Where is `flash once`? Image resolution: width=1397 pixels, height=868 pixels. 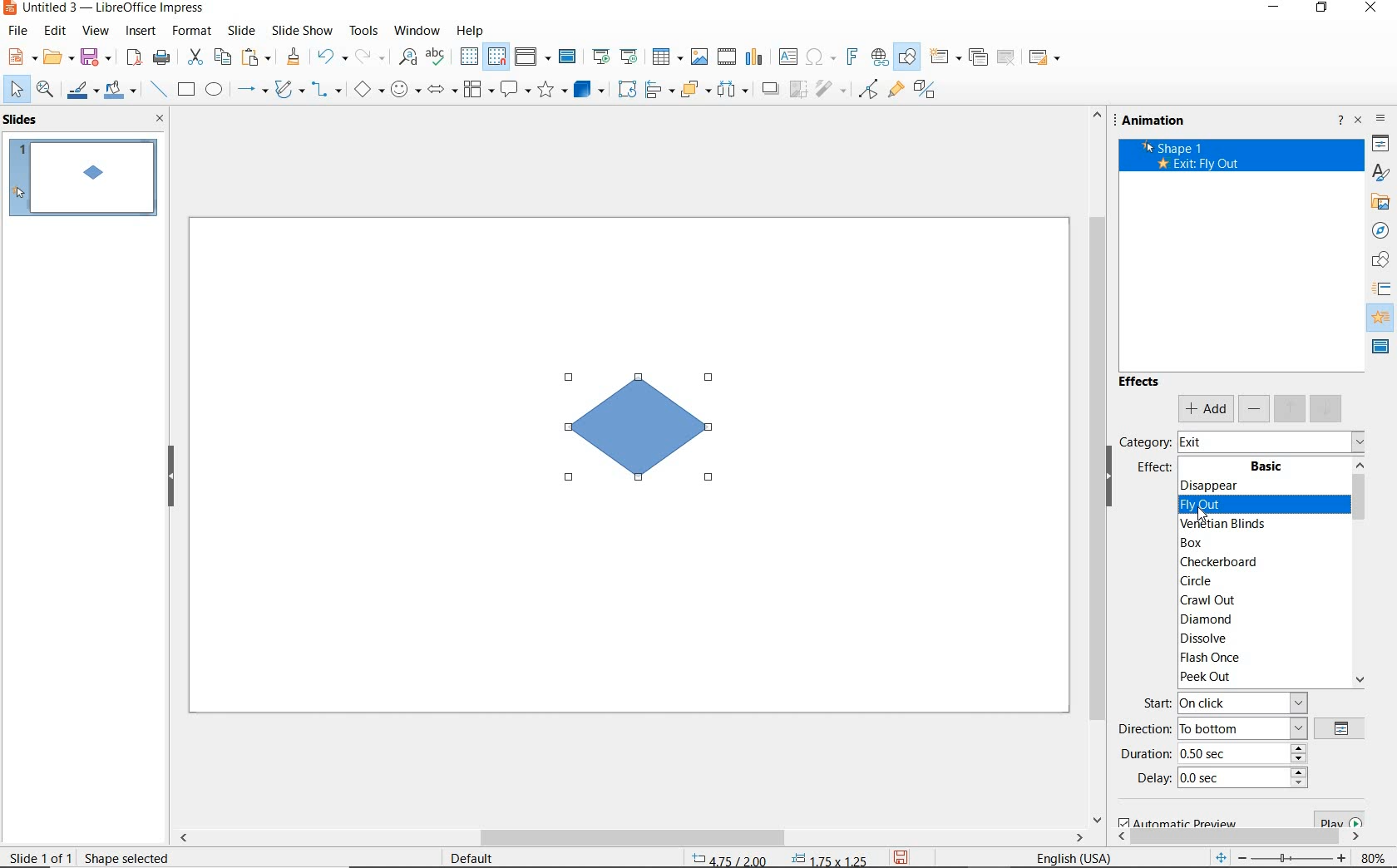
flash once is located at coordinates (1259, 657).